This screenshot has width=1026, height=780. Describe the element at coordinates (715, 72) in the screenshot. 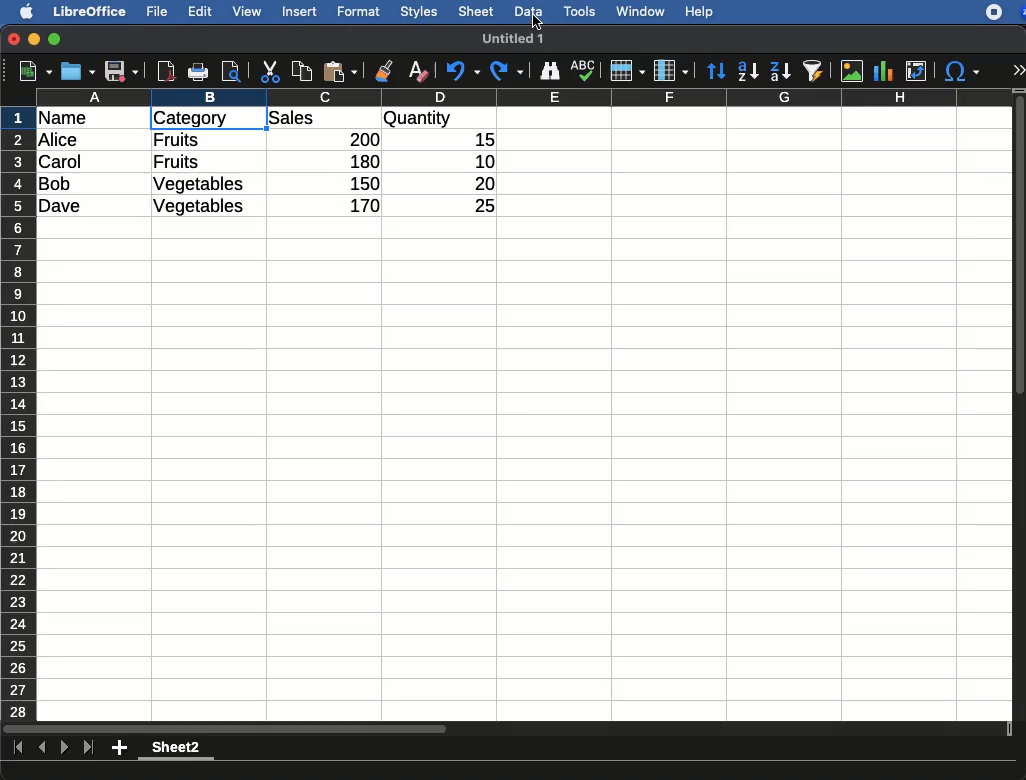

I see `sort` at that location.